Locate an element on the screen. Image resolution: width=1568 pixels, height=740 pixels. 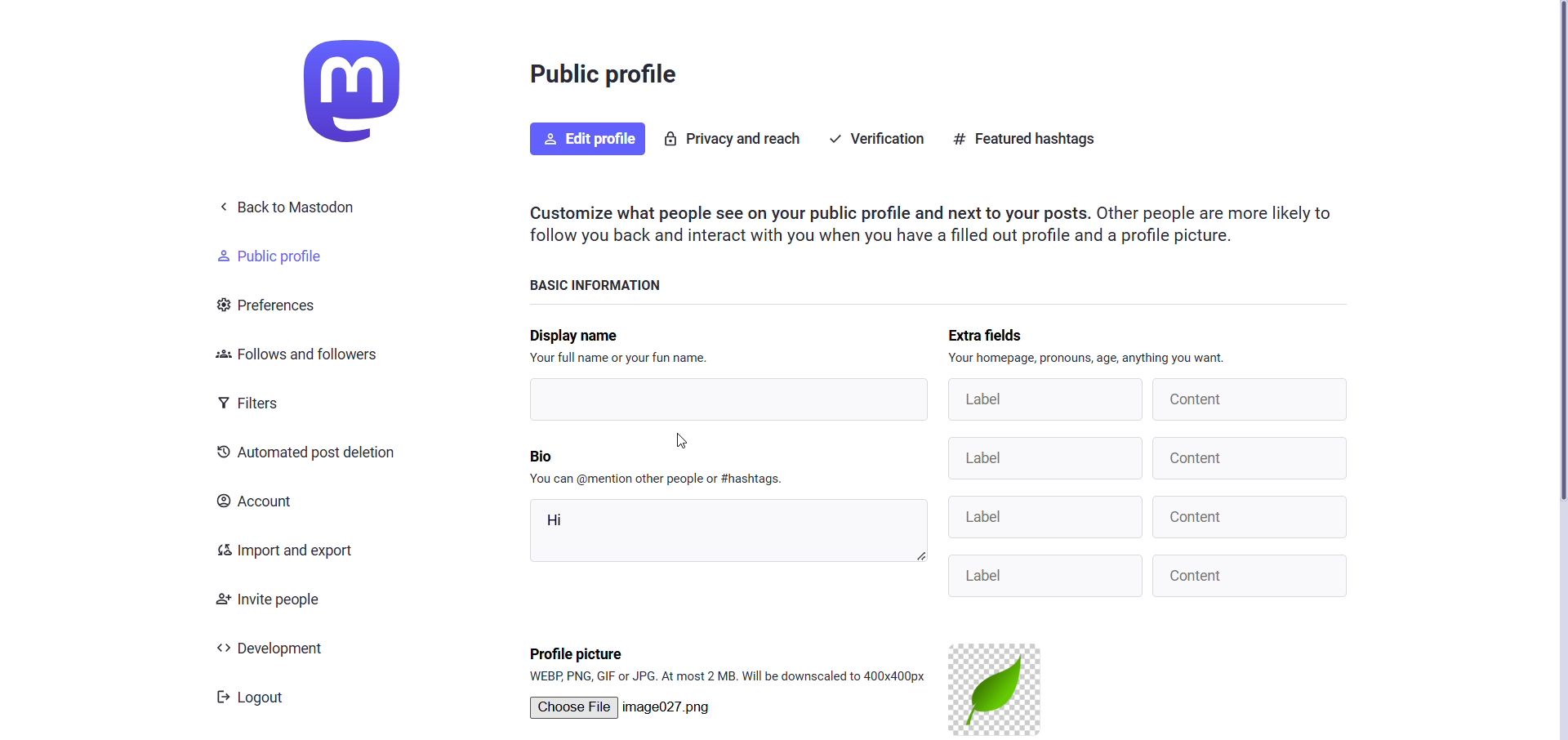
Content is located at coordinates (1252, 516).